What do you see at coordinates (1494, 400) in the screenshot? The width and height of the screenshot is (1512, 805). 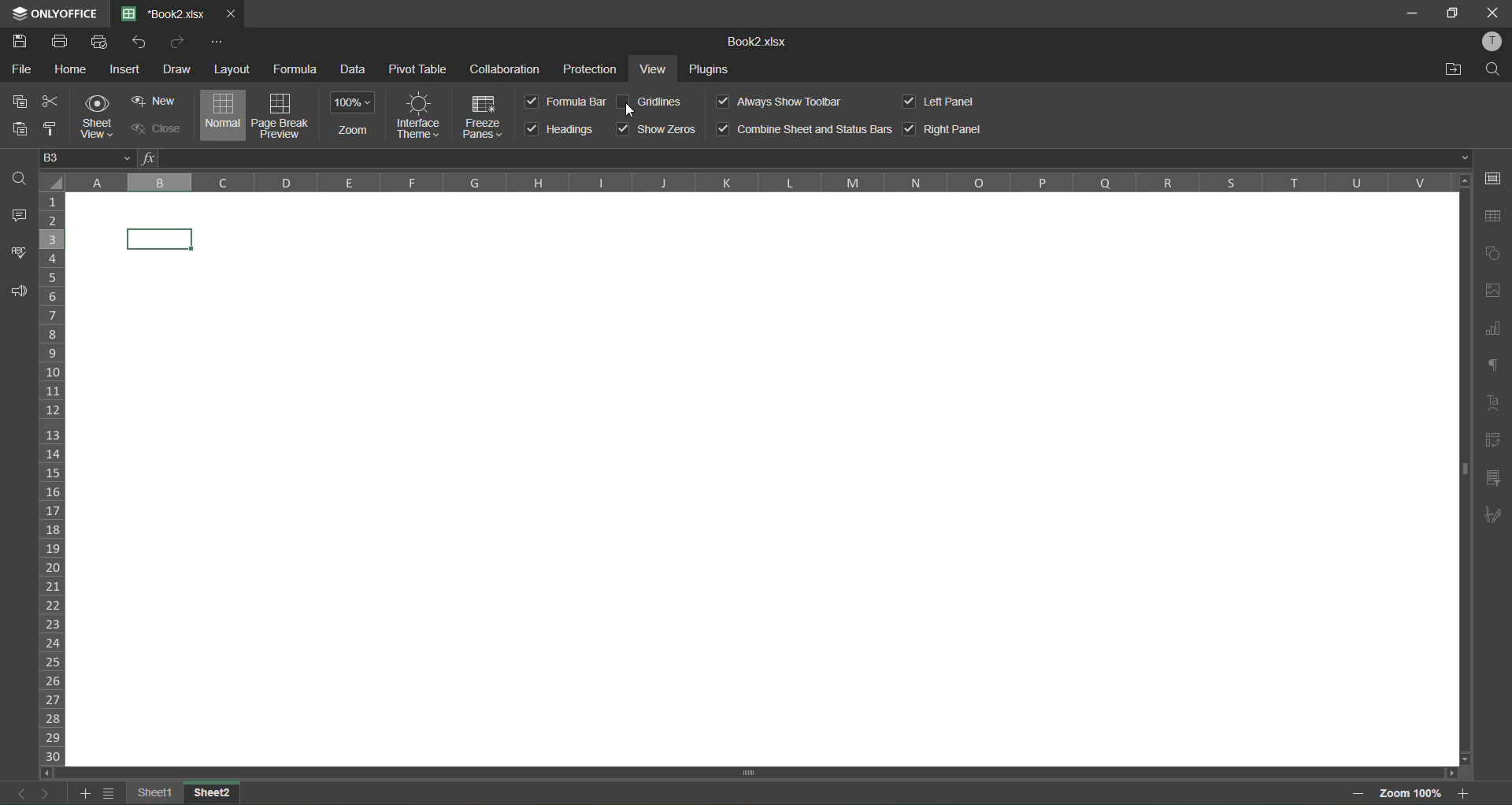 I see `text` at bounding box center [1494, 400].